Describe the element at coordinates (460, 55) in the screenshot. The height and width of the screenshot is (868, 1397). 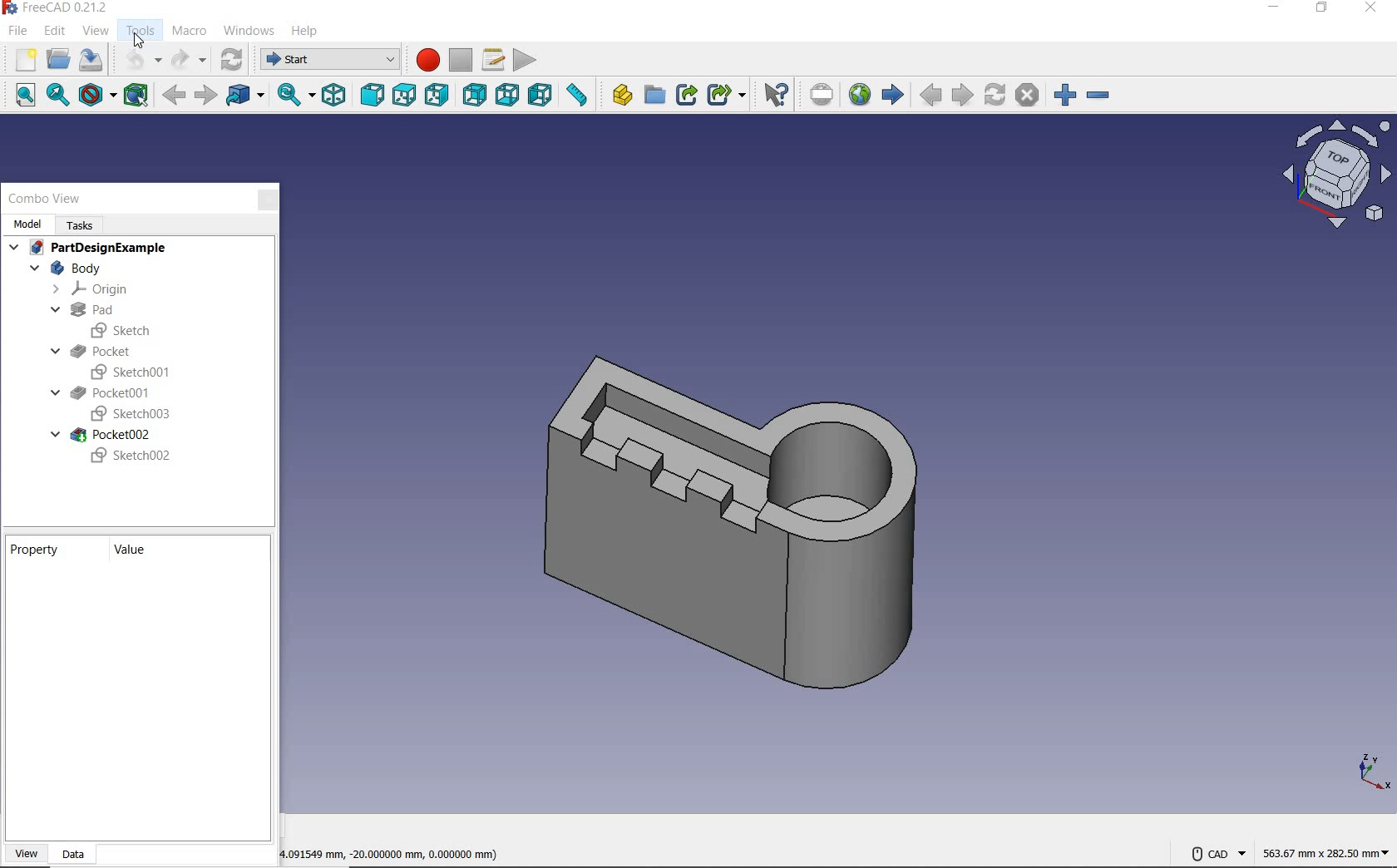
I see `Stop macro recording` at that location.